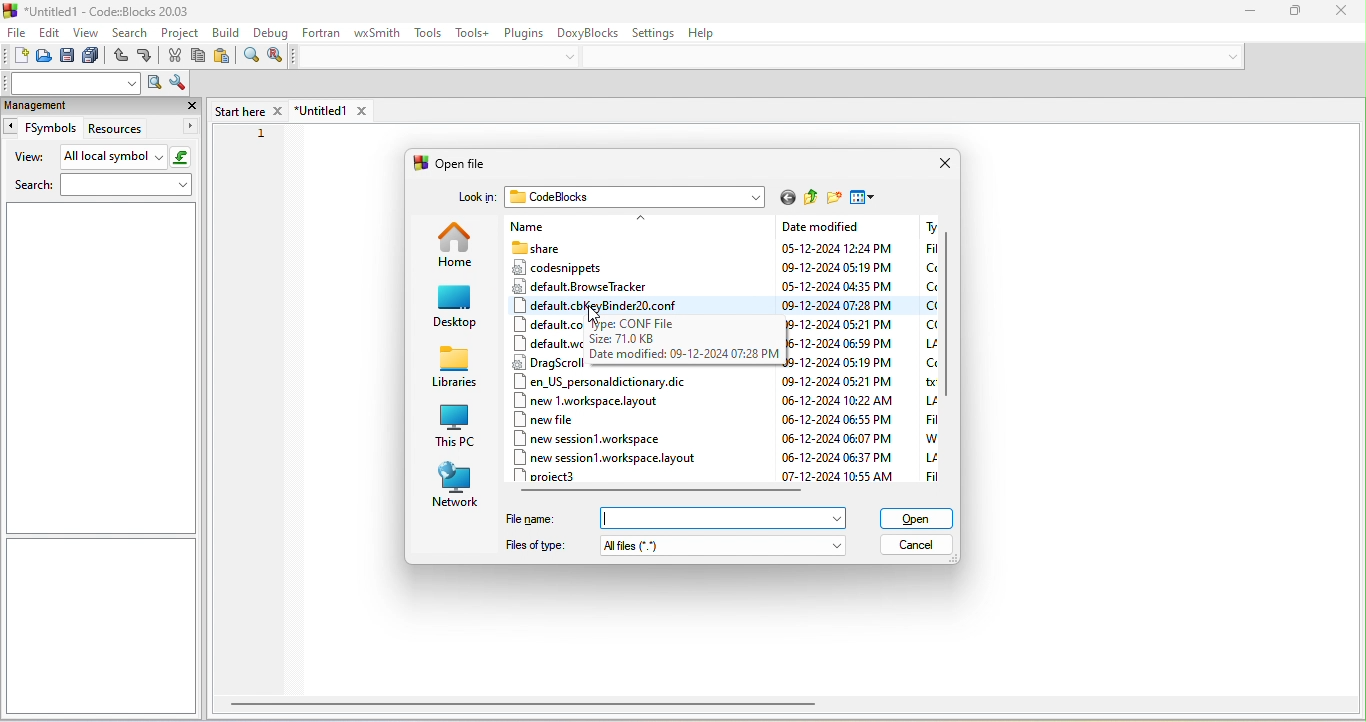 The image size is (1366, 722). What do you see at coordinates (473, 201) in the screenshot?
I see `look in` at bounding box center [473, 201].